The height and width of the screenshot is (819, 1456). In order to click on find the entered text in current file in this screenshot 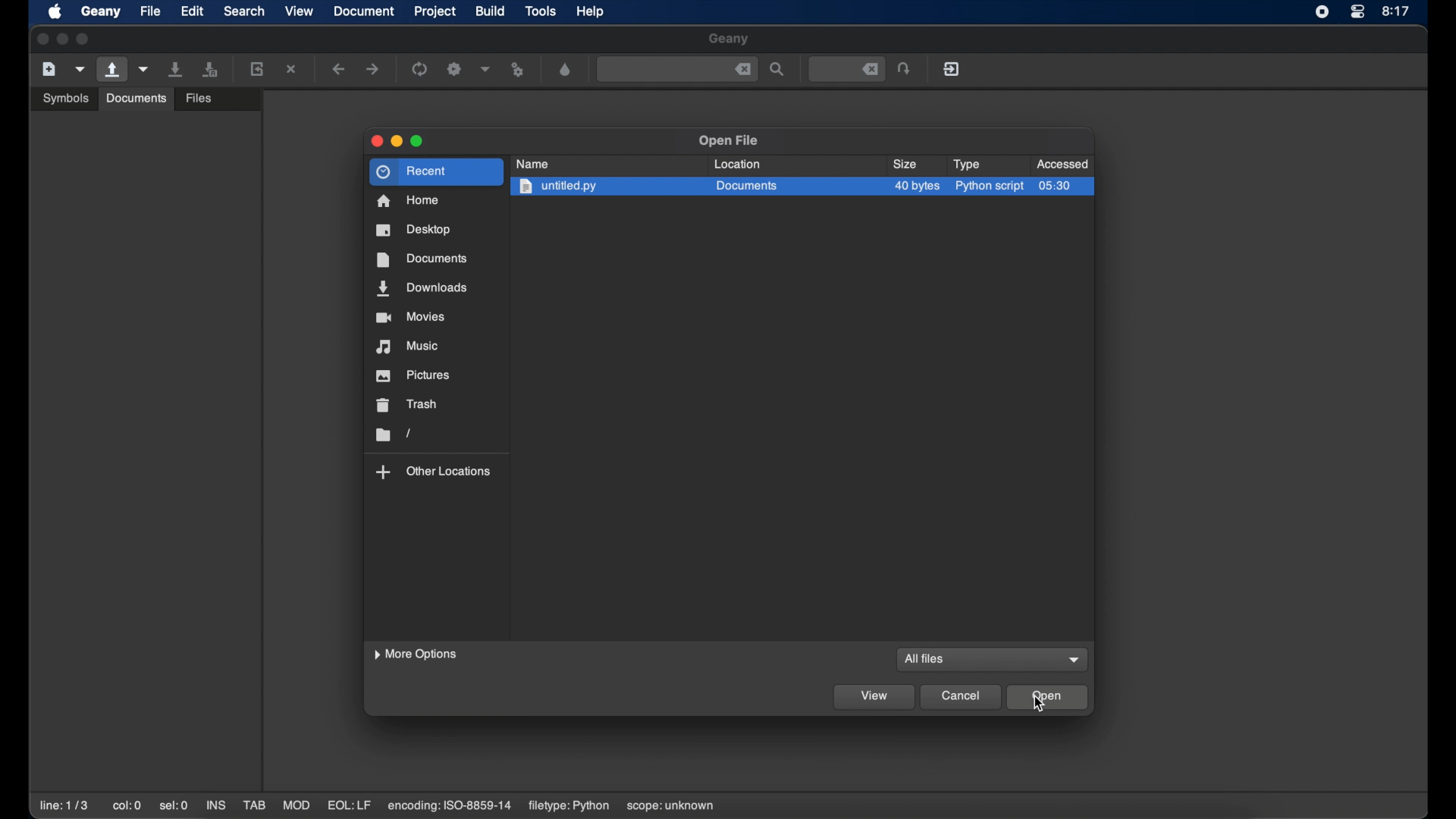, I will do `click(777, 69)`.